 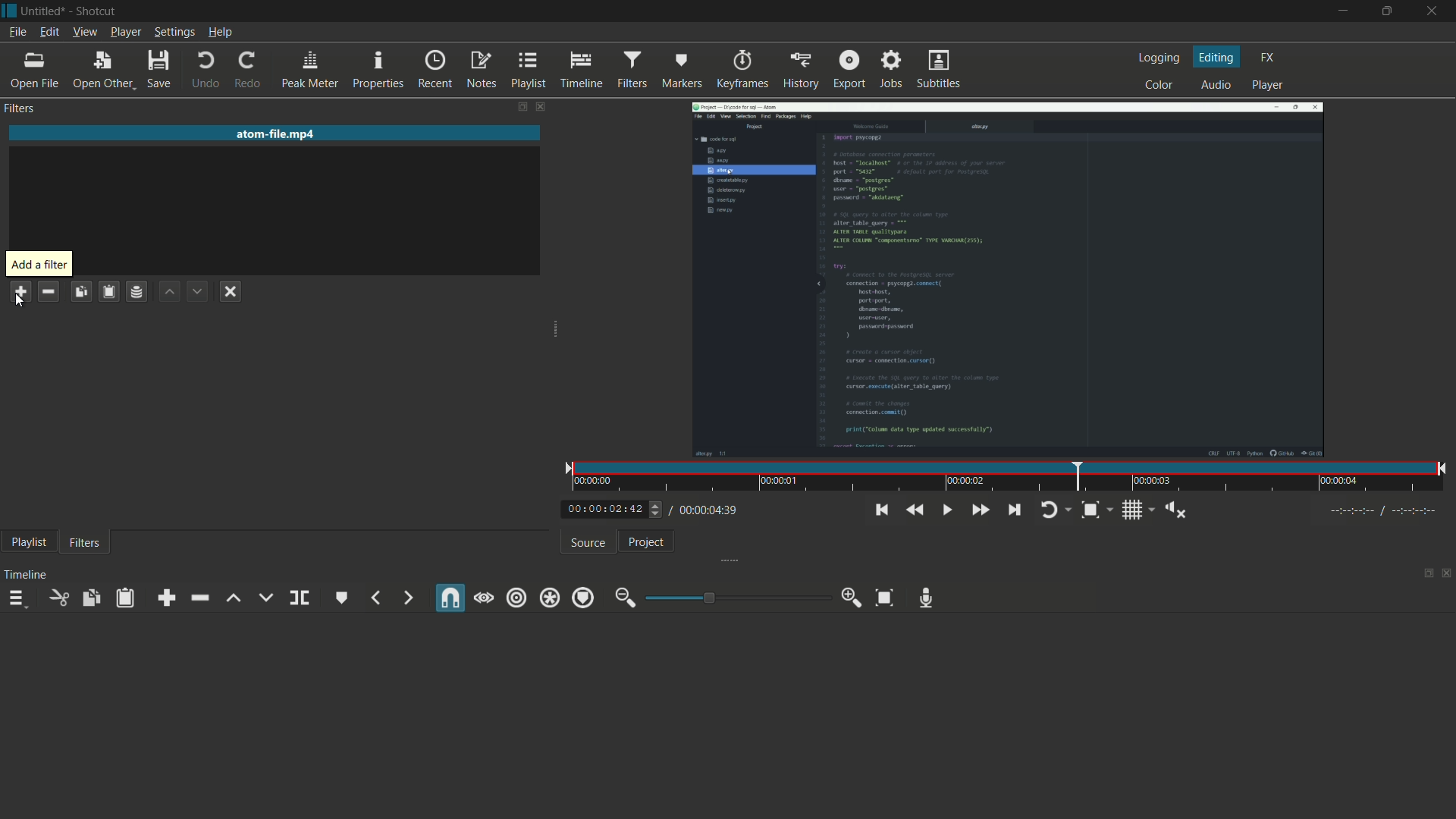 I want to click on toggle player looping, so click(x=1053, y=510).